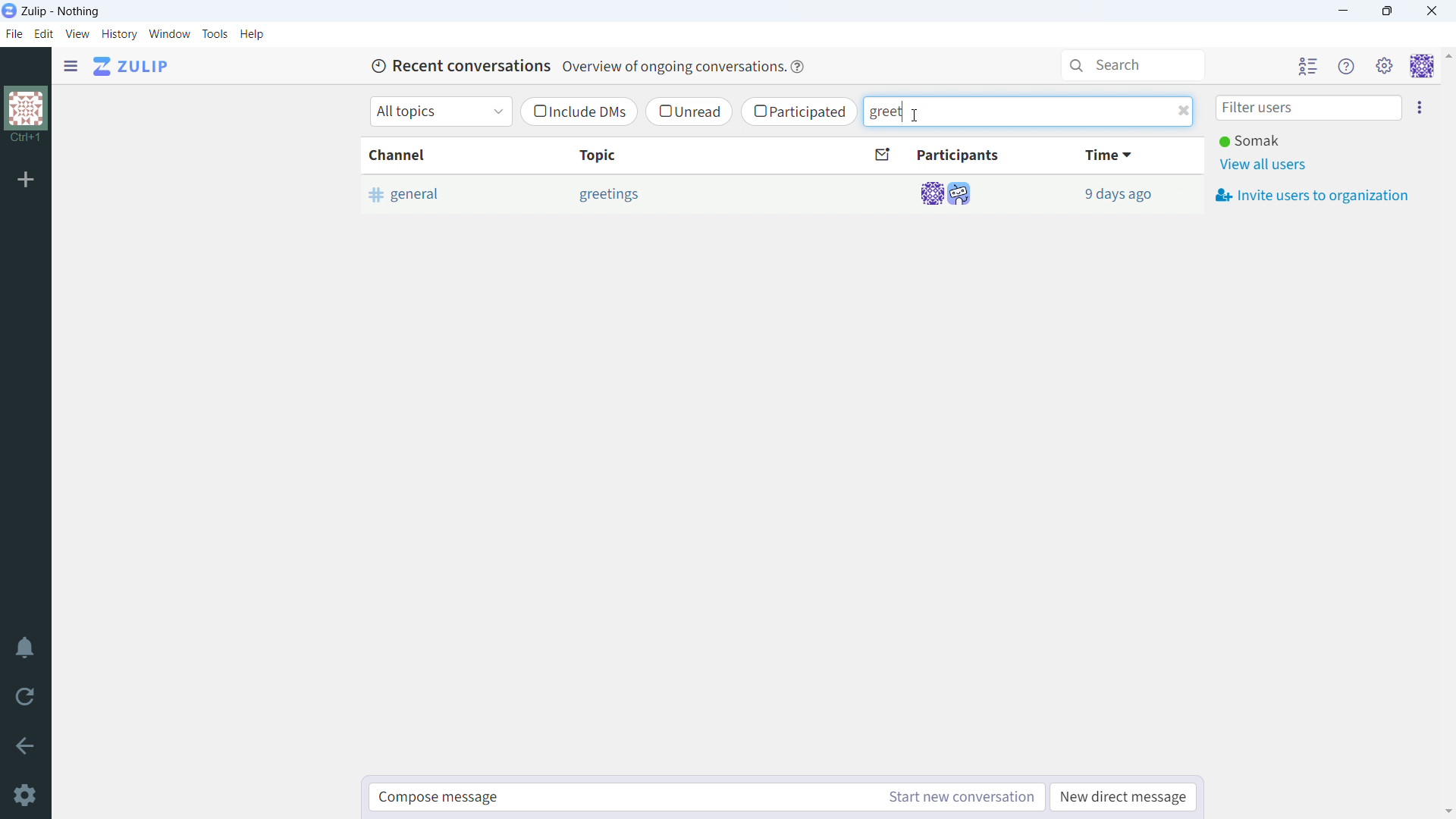 This screenshot has height=819, width=1456. Describe the element at coordinates (24, 697) in the screenshot. I see `reload` at that location.